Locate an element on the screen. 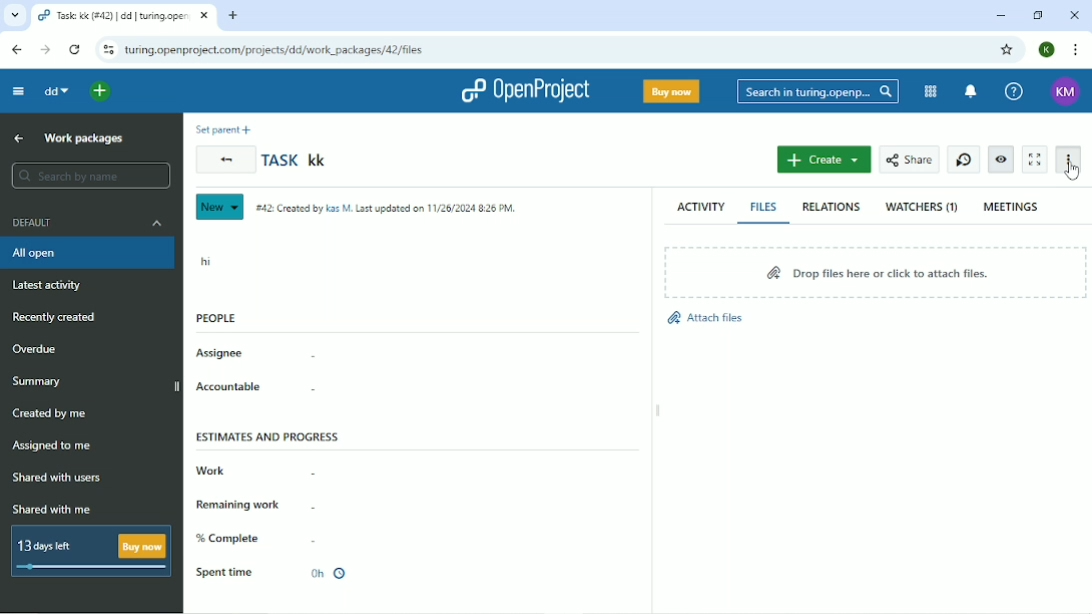 The image size is (1092, 614). cursor is located at coordinates (1070, 176).